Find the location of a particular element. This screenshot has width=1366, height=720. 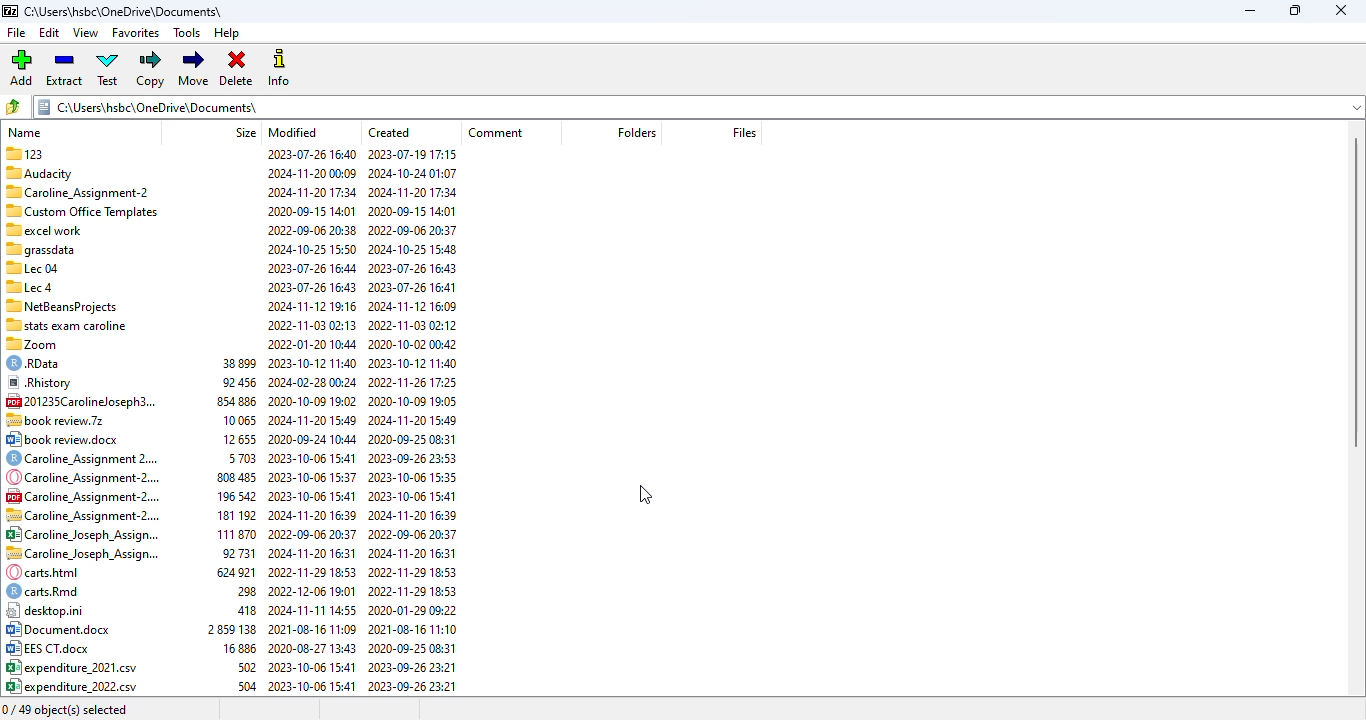

edit is located at coordinates (49, 32).